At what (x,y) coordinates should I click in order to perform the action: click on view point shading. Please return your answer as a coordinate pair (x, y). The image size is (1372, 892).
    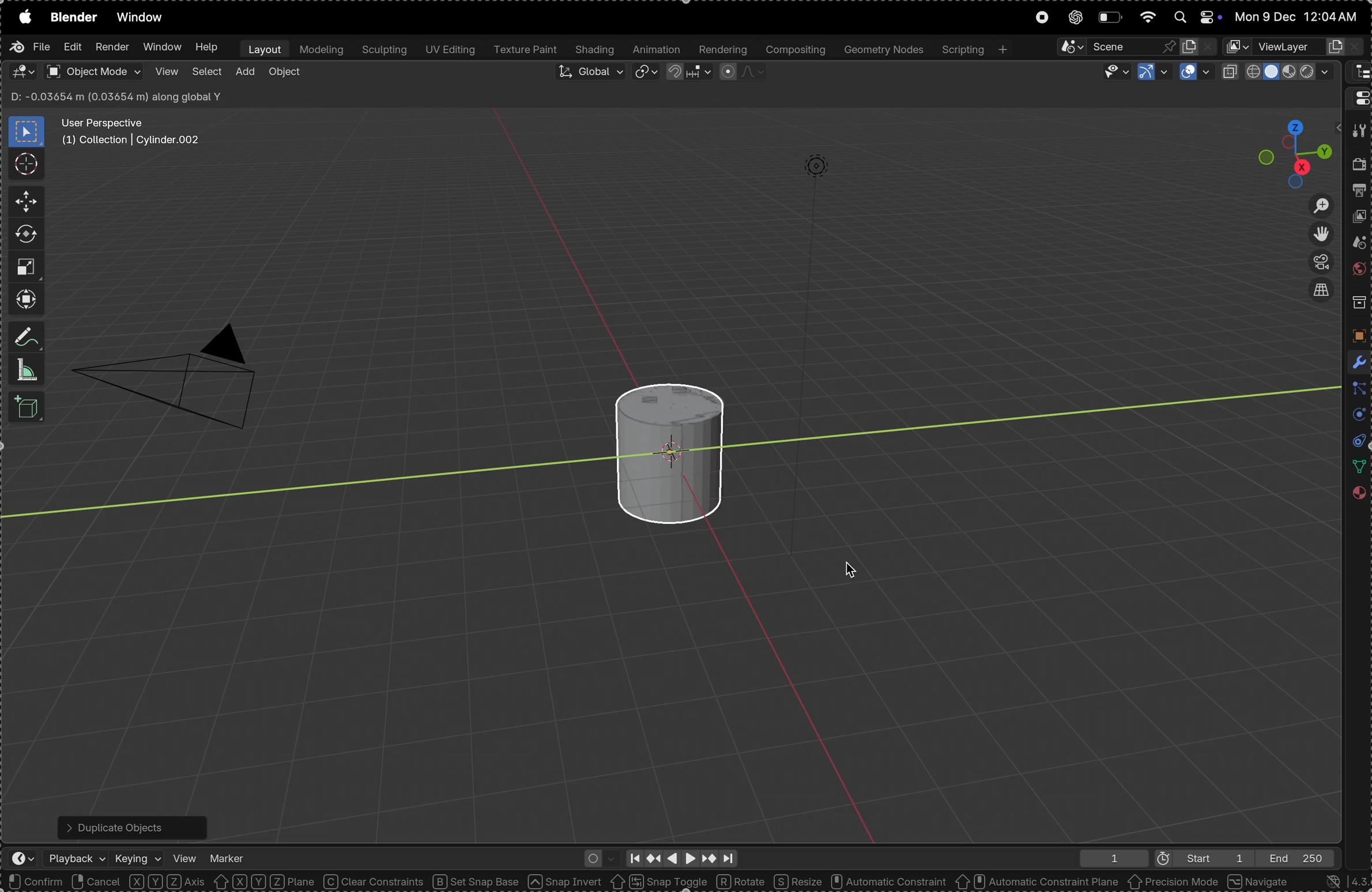
    Looking at the image, I should click on (1280, 72).